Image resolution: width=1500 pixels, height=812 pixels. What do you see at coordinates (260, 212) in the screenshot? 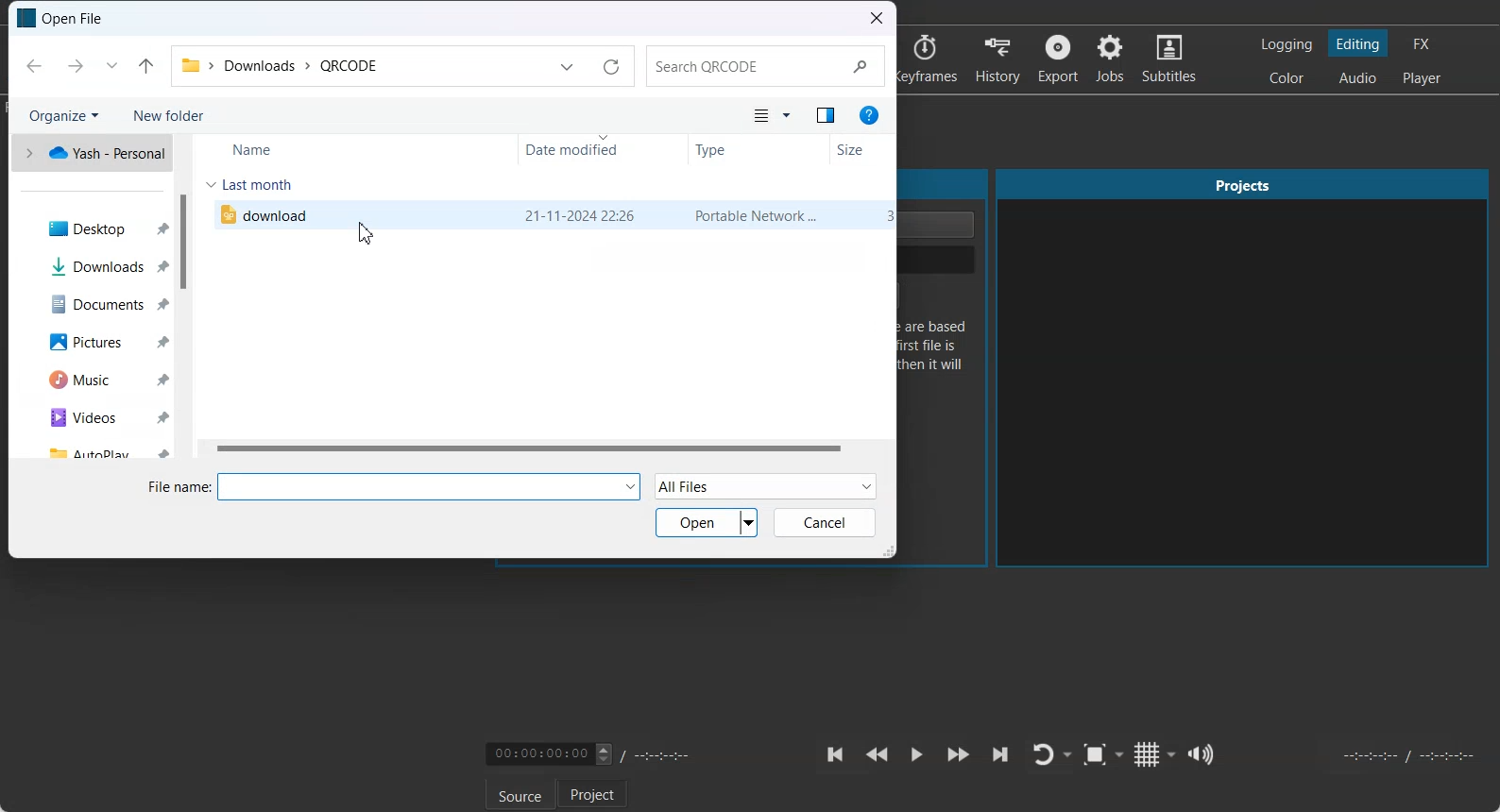
I see `File` at bounding box center [260, 212].